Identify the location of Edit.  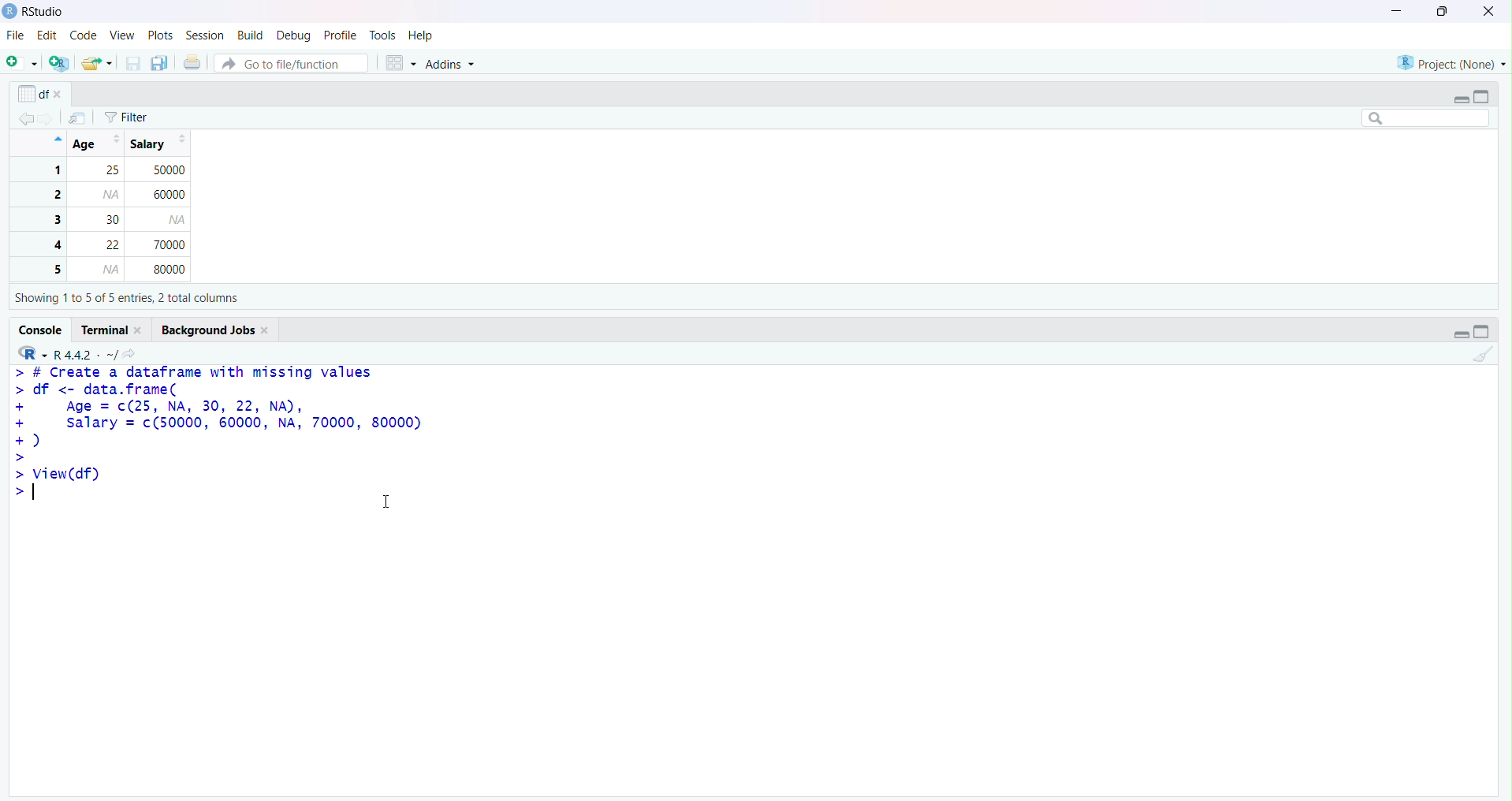
(48, 35).